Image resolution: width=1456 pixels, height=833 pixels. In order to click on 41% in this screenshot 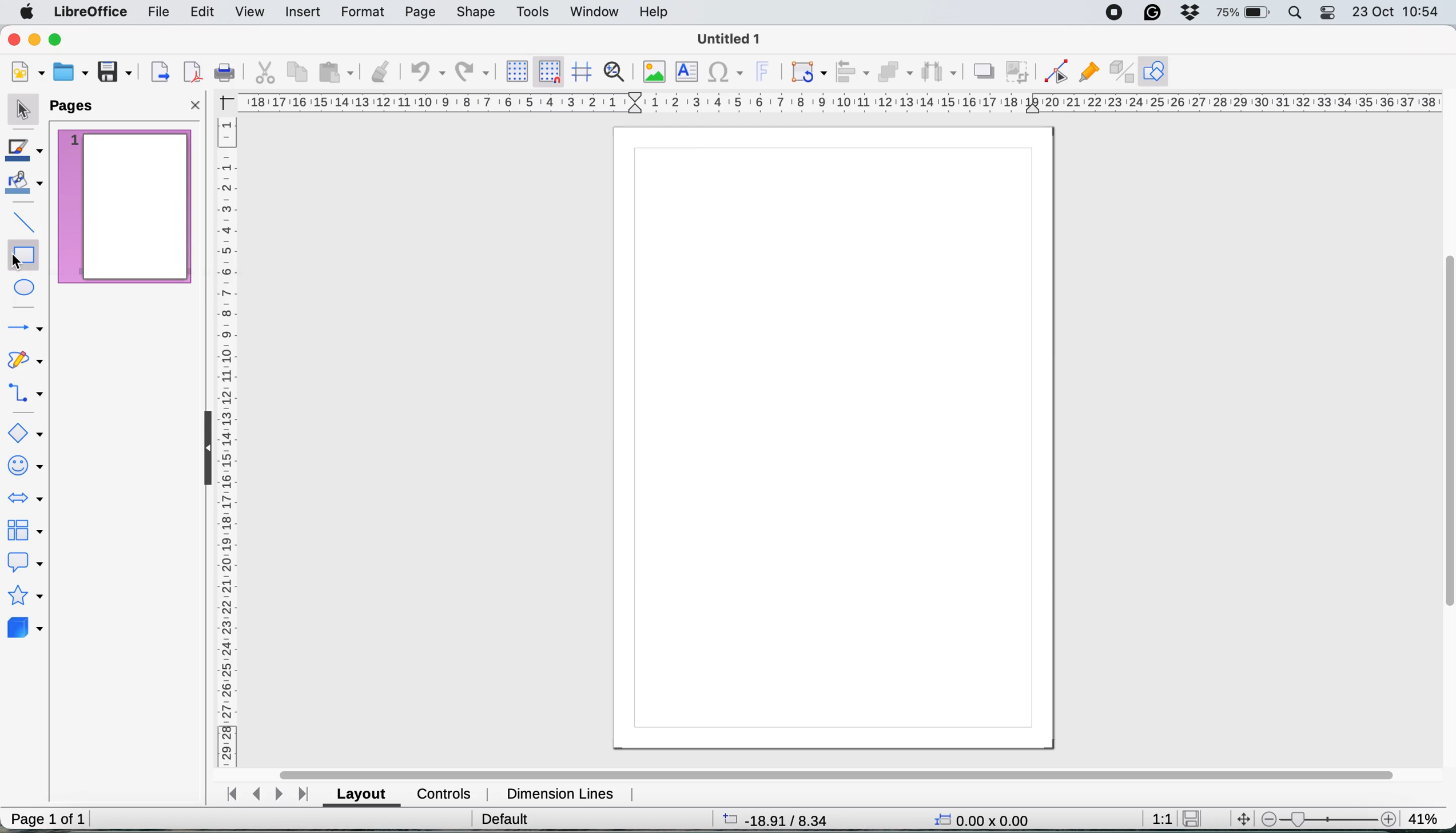, I will do `click(1423, 816)`.